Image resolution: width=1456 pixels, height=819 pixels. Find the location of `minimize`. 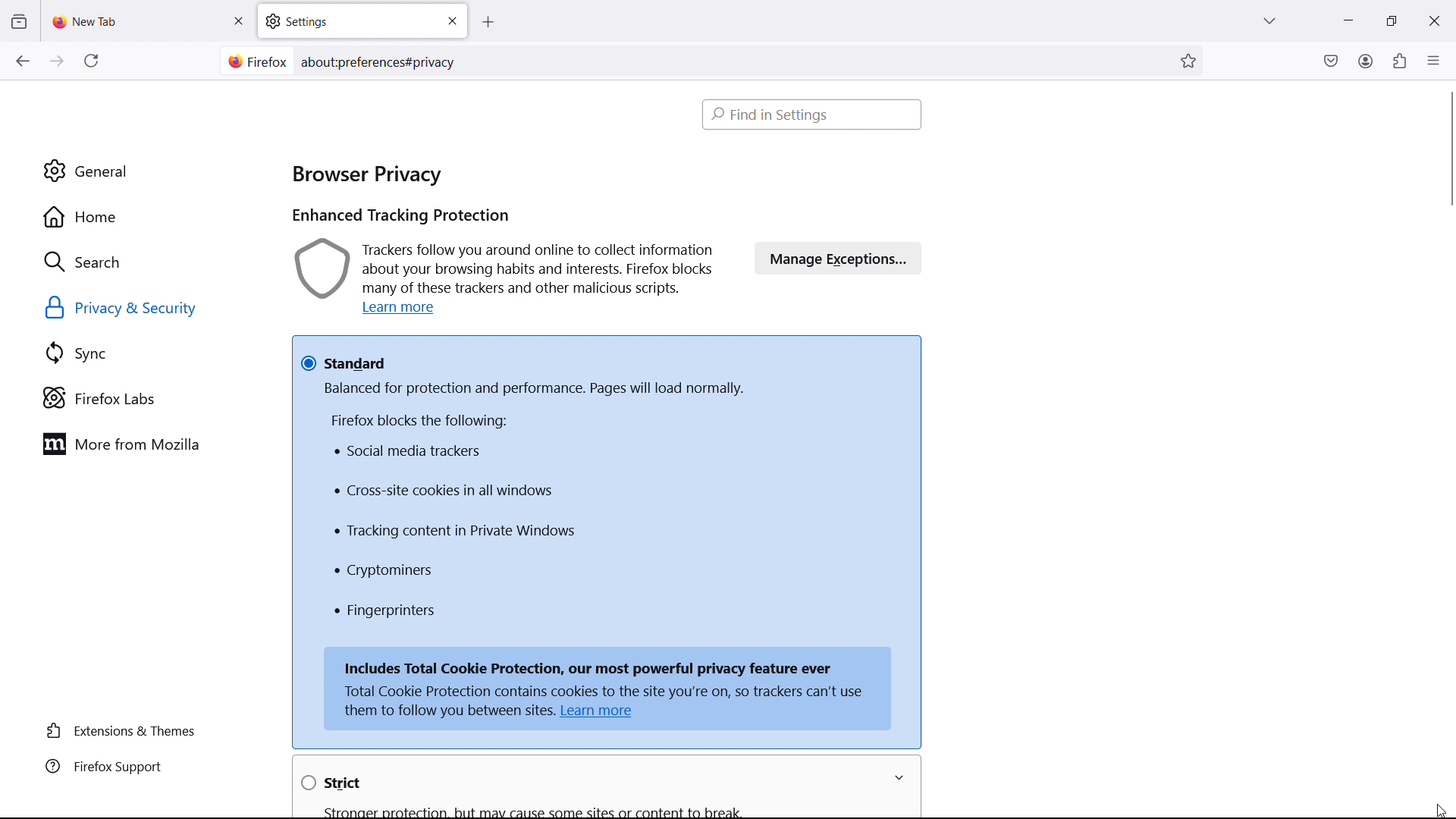

minimize is located at coordinates (1347, 19).